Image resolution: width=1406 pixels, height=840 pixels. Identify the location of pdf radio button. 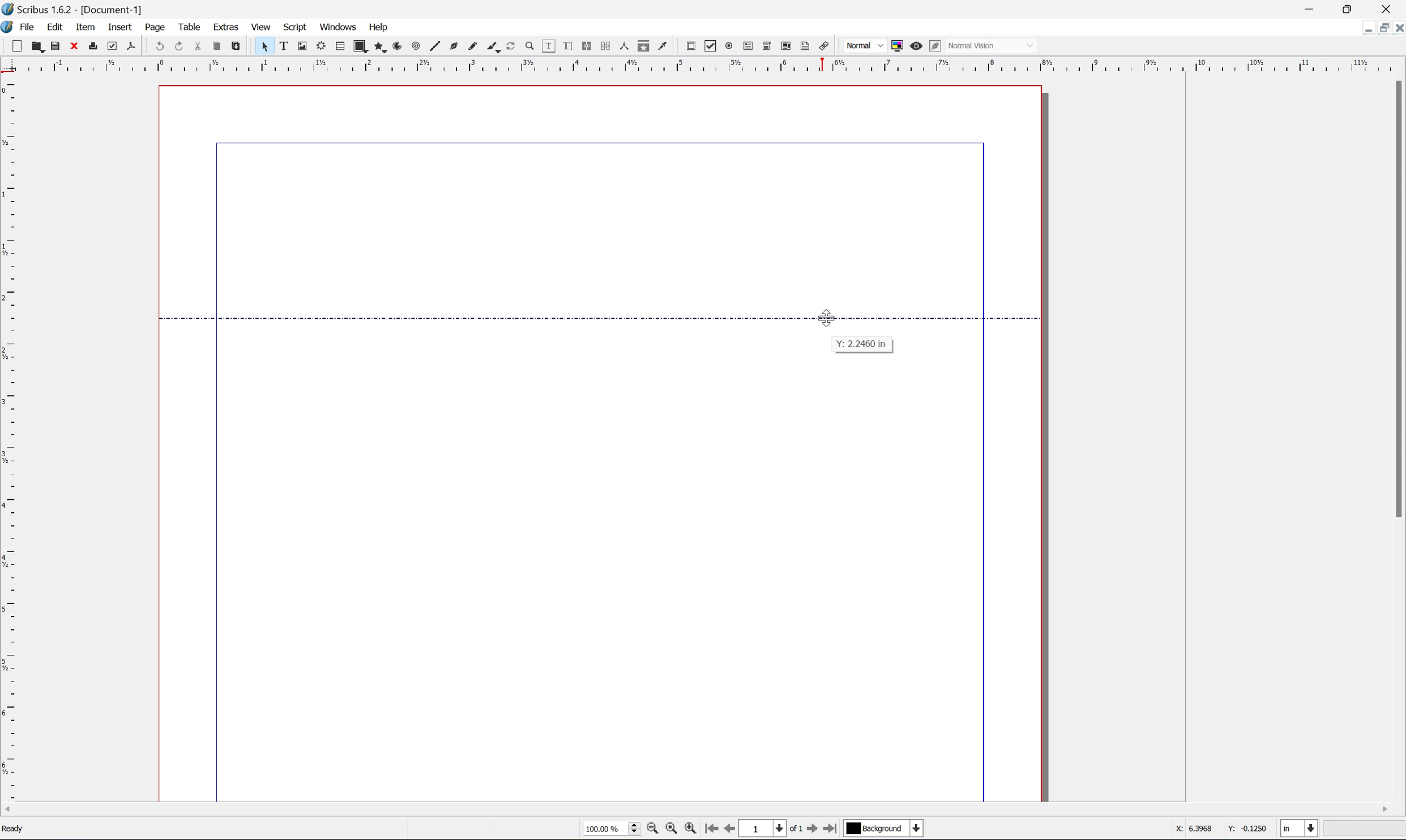
(730, 46).